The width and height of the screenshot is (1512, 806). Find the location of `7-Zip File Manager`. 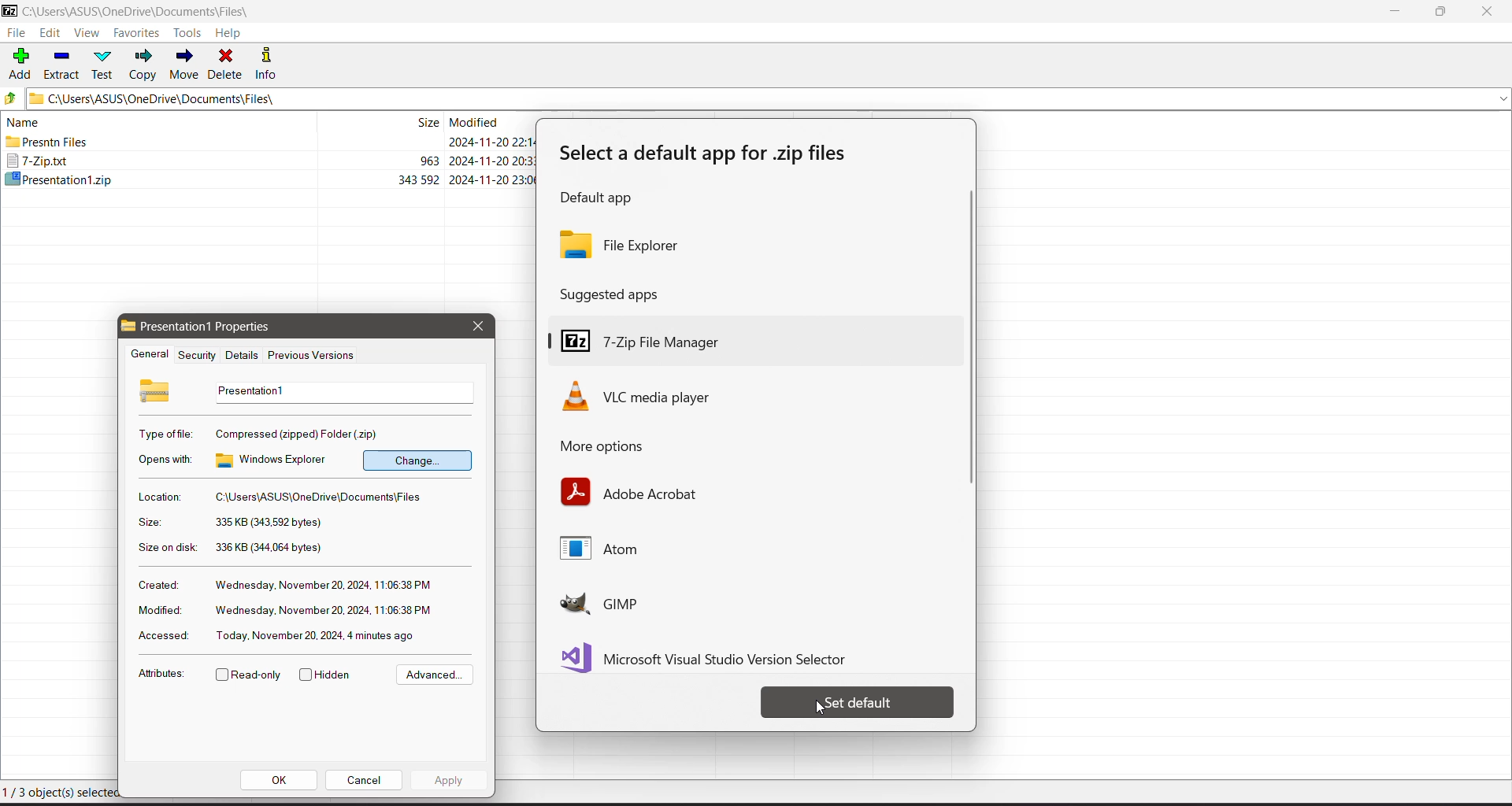

7-Zip File Manager is located at coordinates (753, 337).